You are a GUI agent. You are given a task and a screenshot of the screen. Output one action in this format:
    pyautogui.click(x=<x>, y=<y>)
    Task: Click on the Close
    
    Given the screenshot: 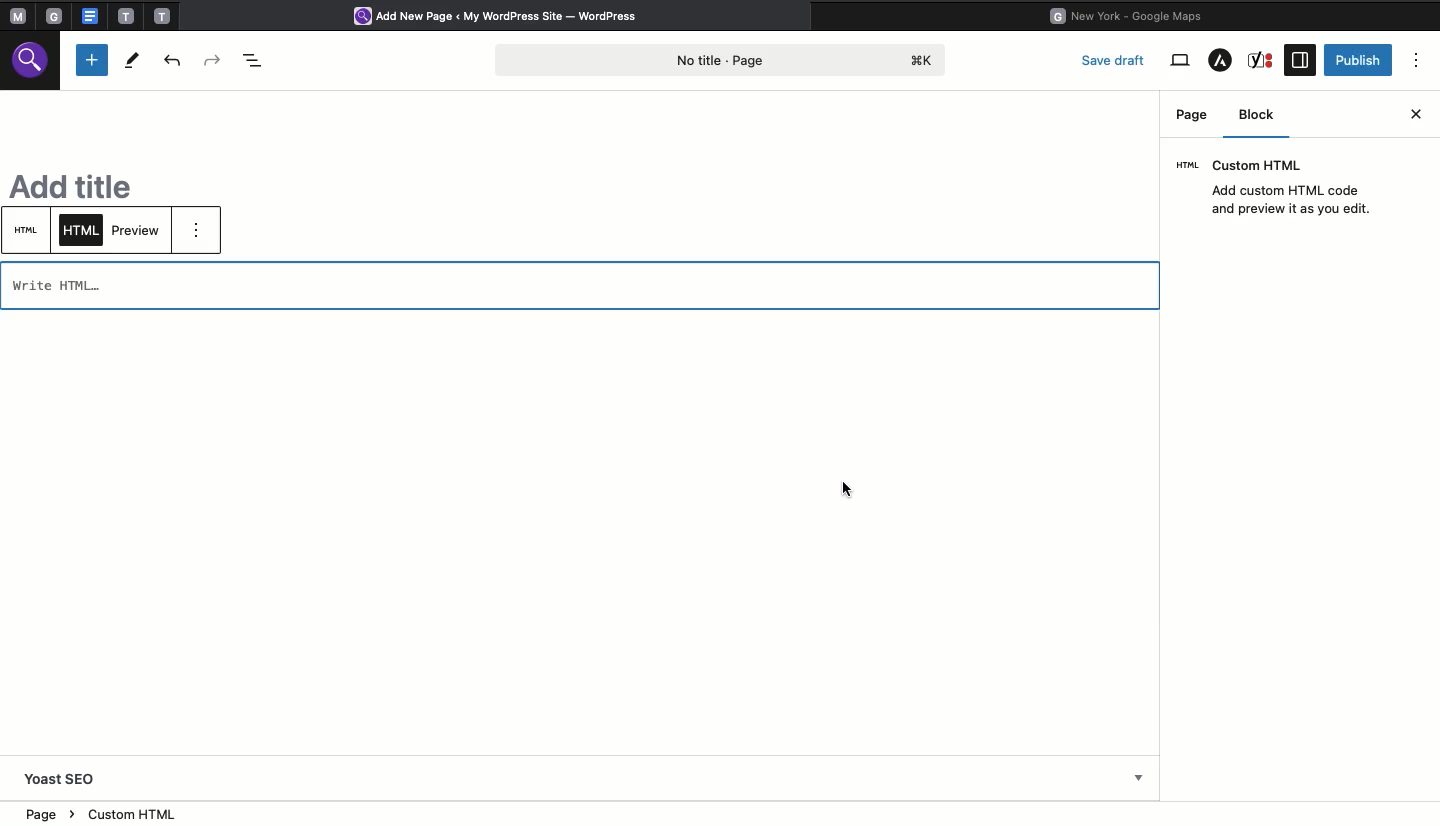 What is the action you would take?
    pyautogui.click(x=1417, y=112)
    